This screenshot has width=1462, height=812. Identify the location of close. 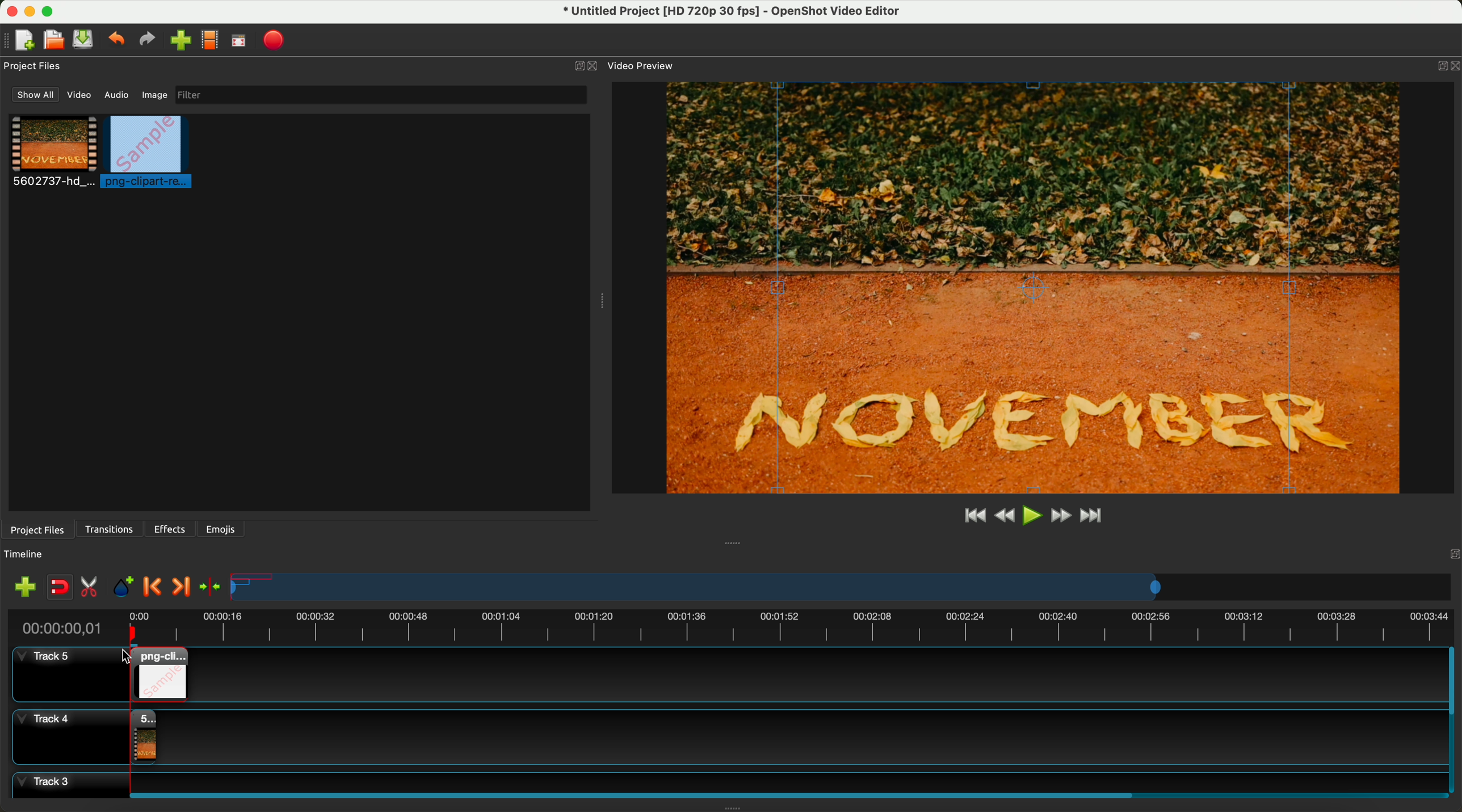
(586, 66).